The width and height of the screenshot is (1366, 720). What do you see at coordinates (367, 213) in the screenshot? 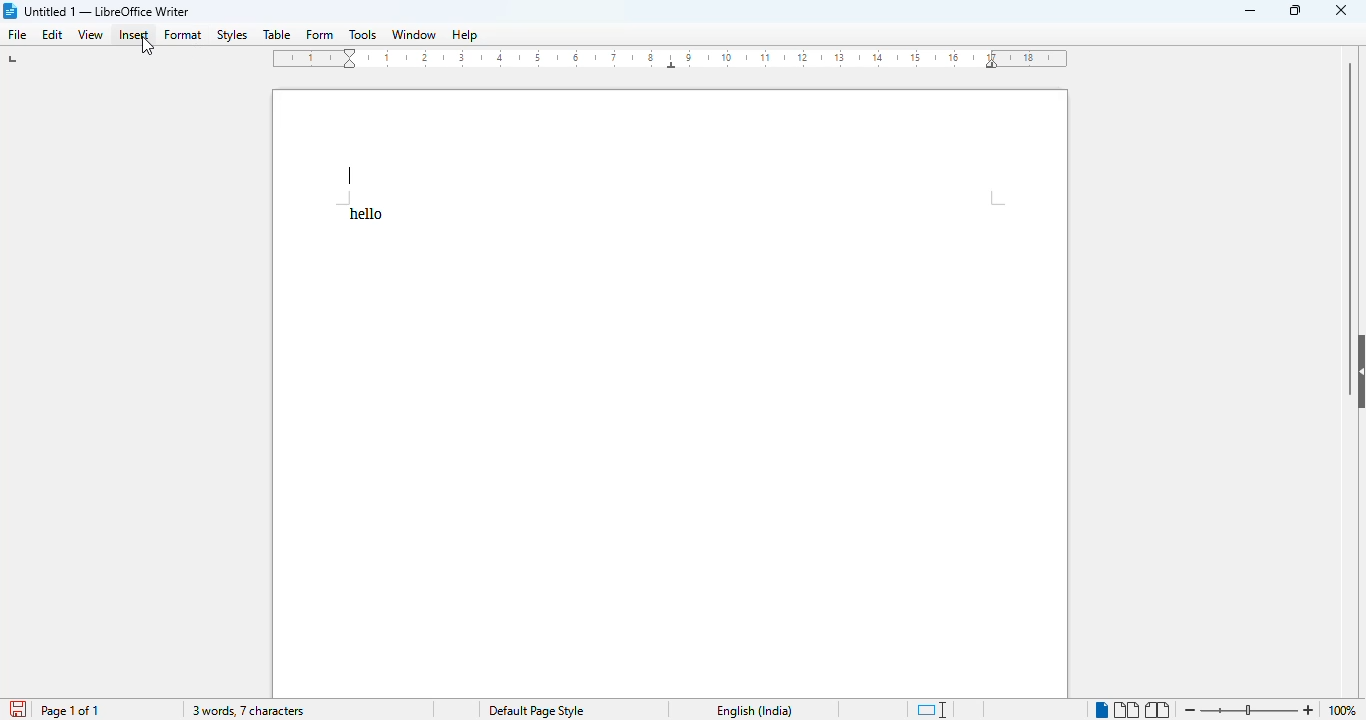
I see `text` at bounding box center [367, 213].